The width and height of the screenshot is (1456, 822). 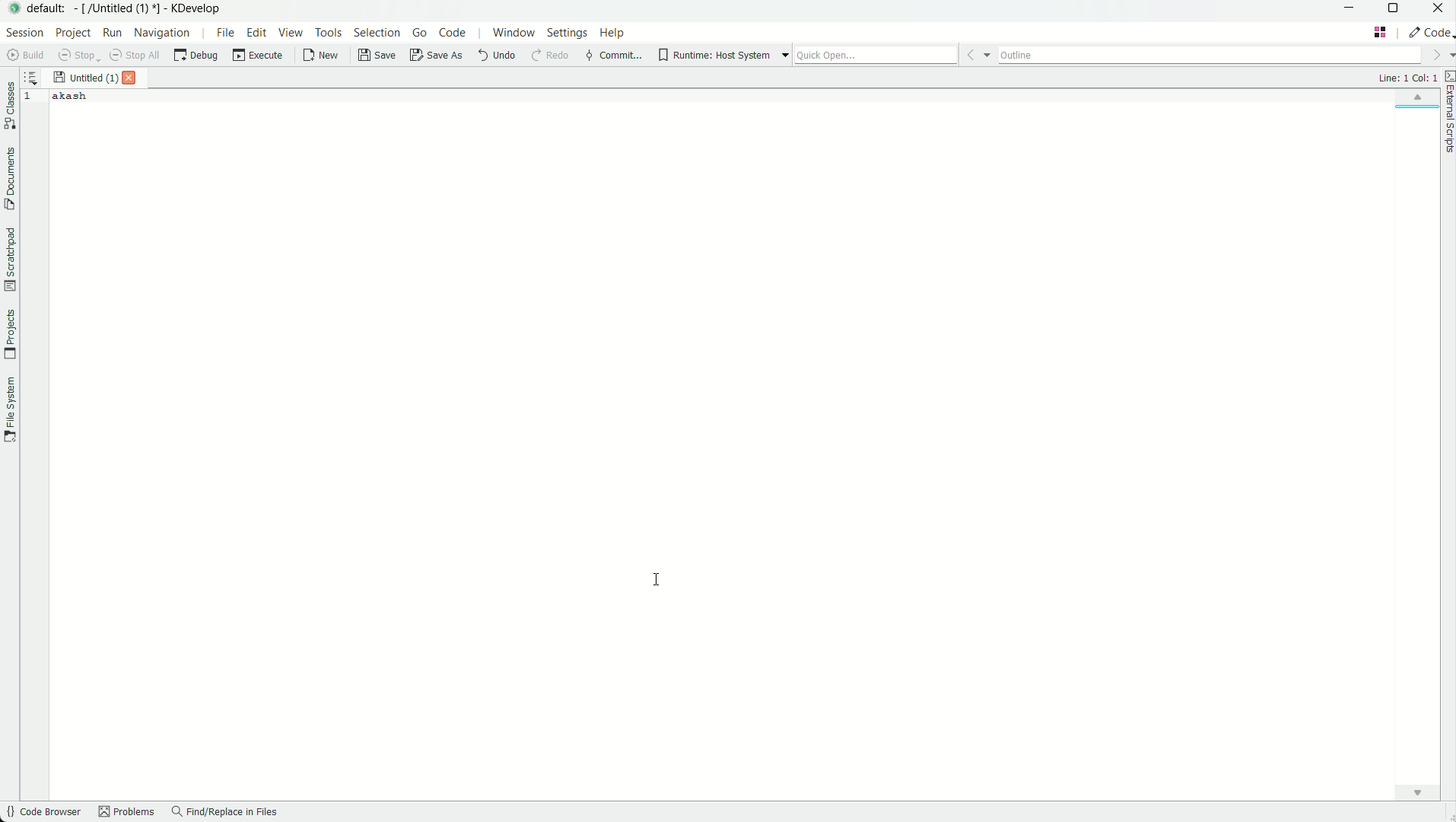 What do you see at coordinates (1380, 32) in the screenshot?
I see `change layout` at bounding box center [1380, 32].